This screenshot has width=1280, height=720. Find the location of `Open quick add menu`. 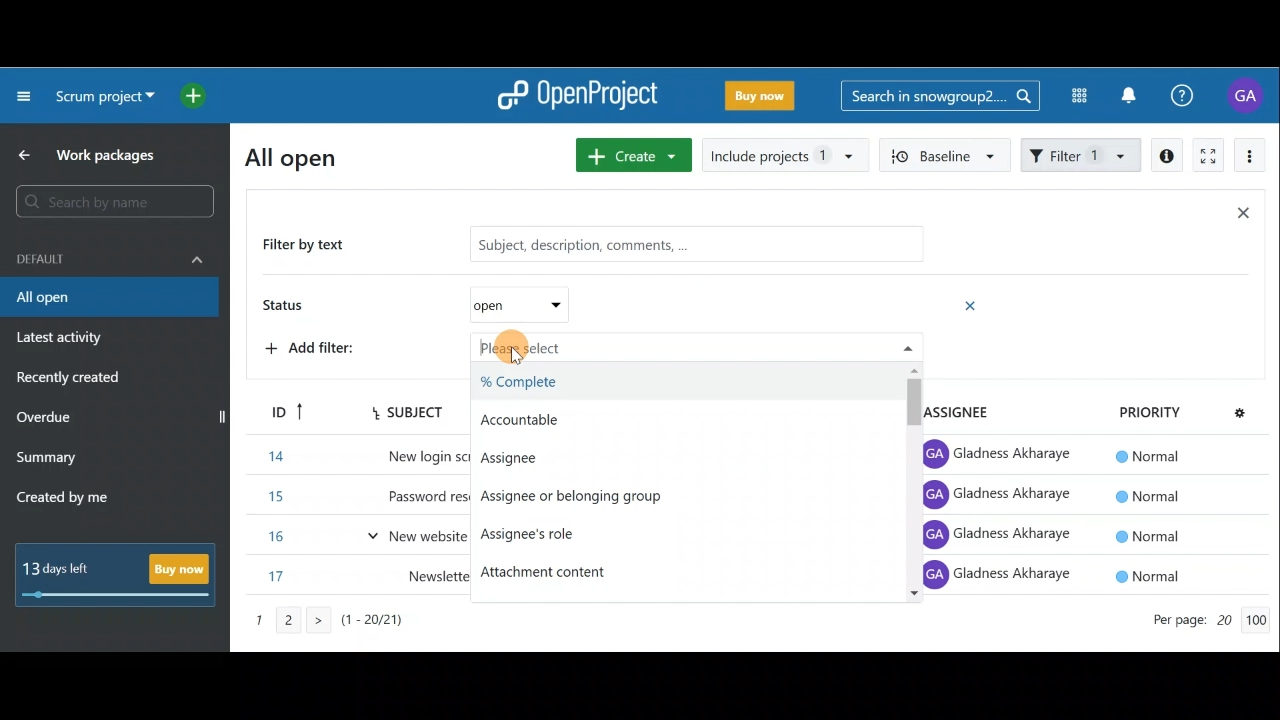

Open quick add menu is located at coordinates (197, 92).